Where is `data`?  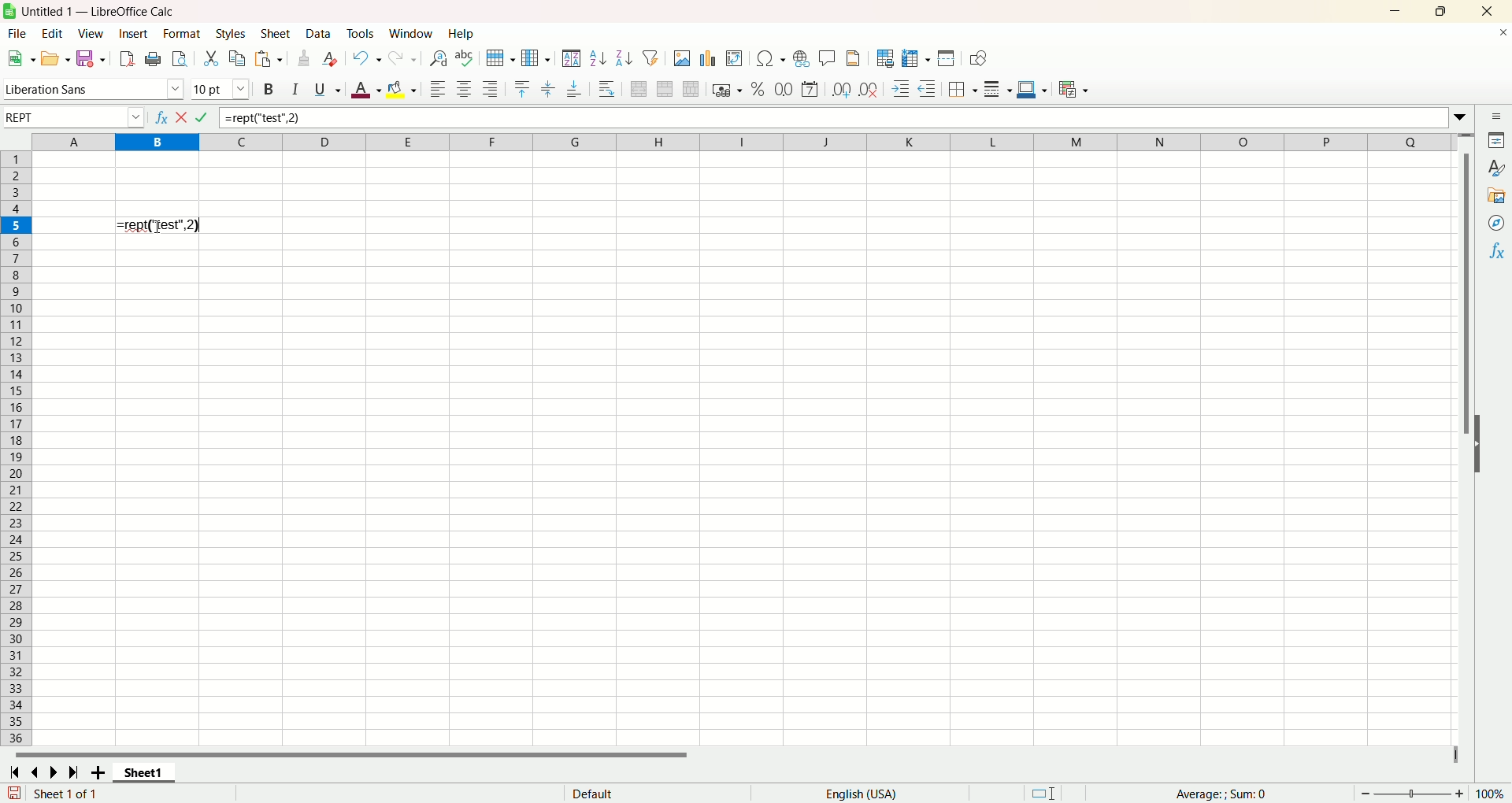
data is located at coordinates (317, 32).